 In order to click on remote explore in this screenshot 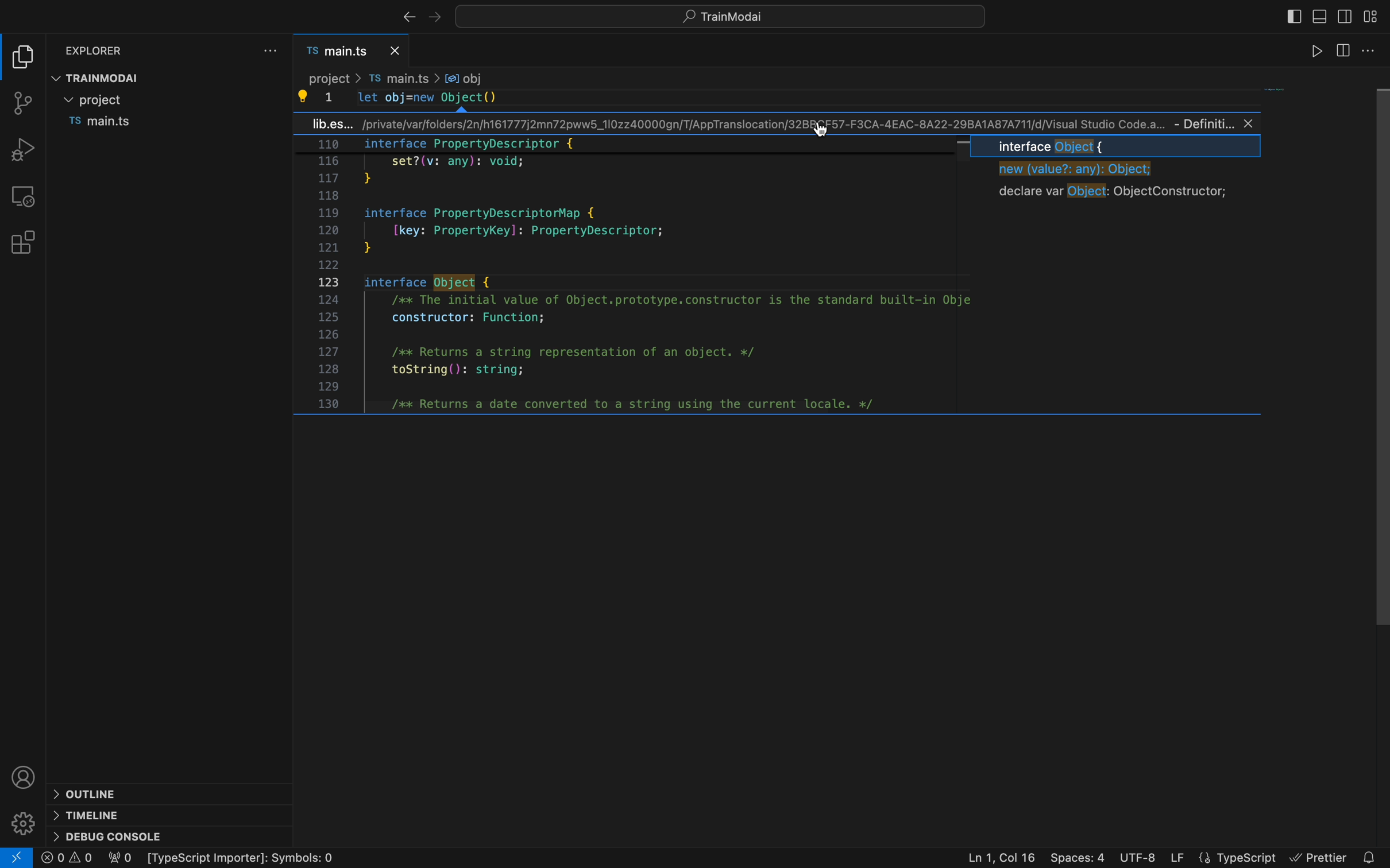, I will do `click(24, 192)`.